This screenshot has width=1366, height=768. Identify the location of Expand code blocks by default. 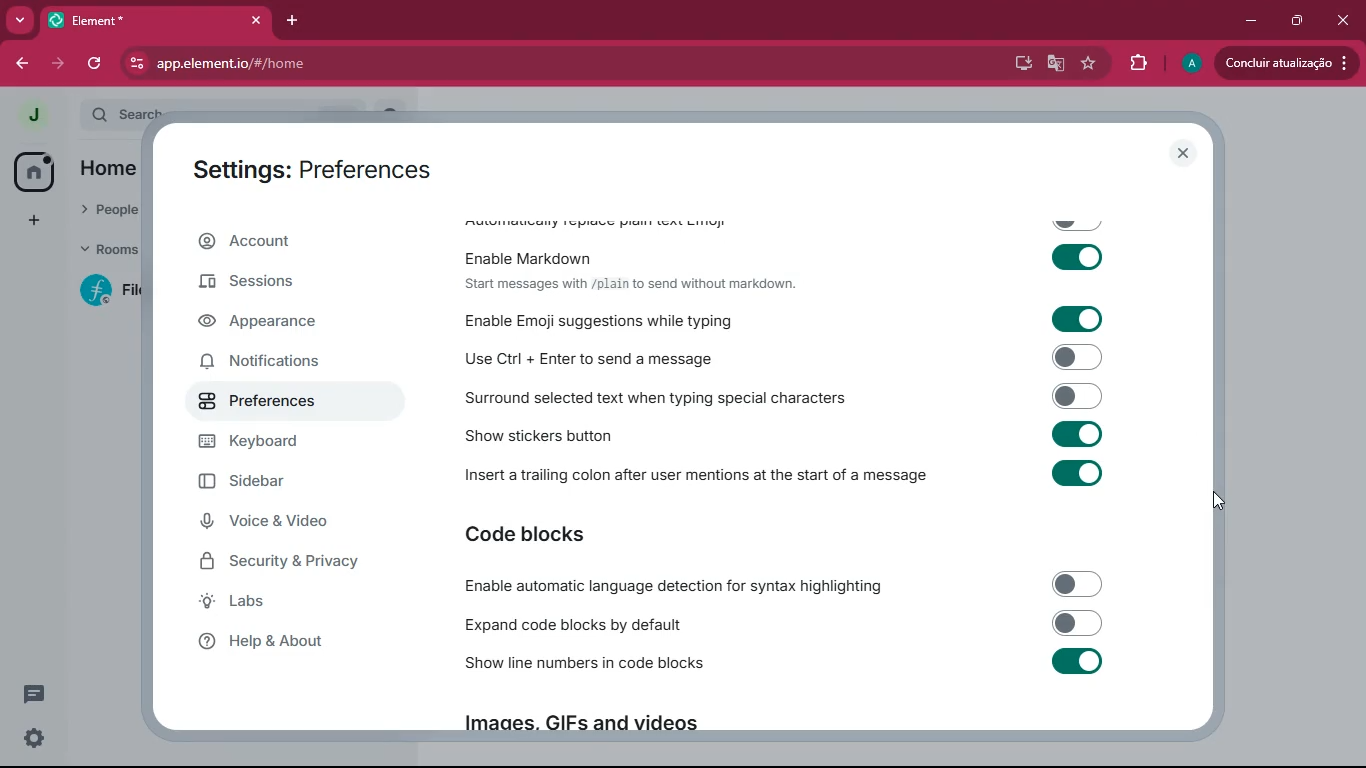
(781, 624).